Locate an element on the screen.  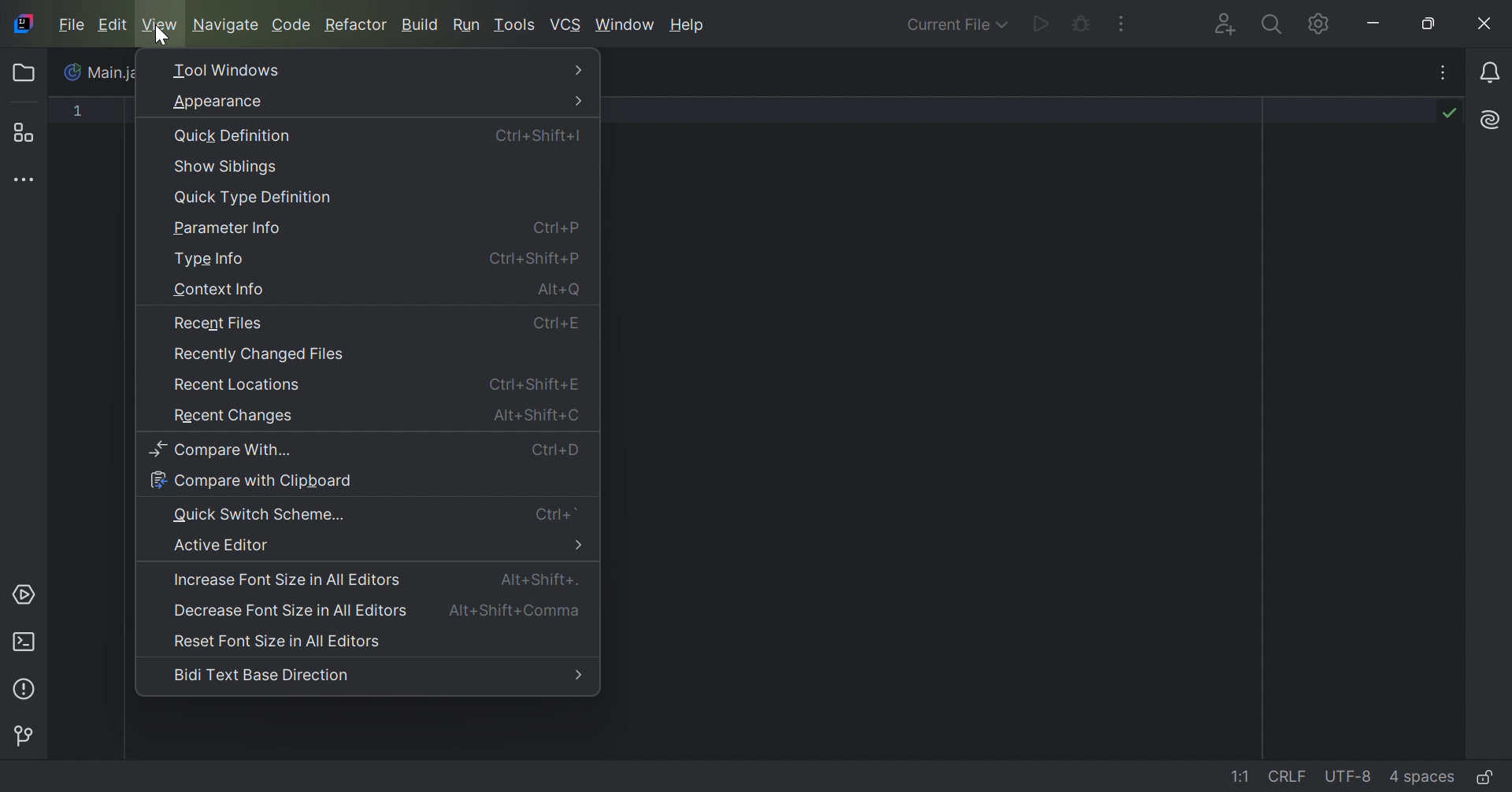
Project is located at coordinates (28, 73).